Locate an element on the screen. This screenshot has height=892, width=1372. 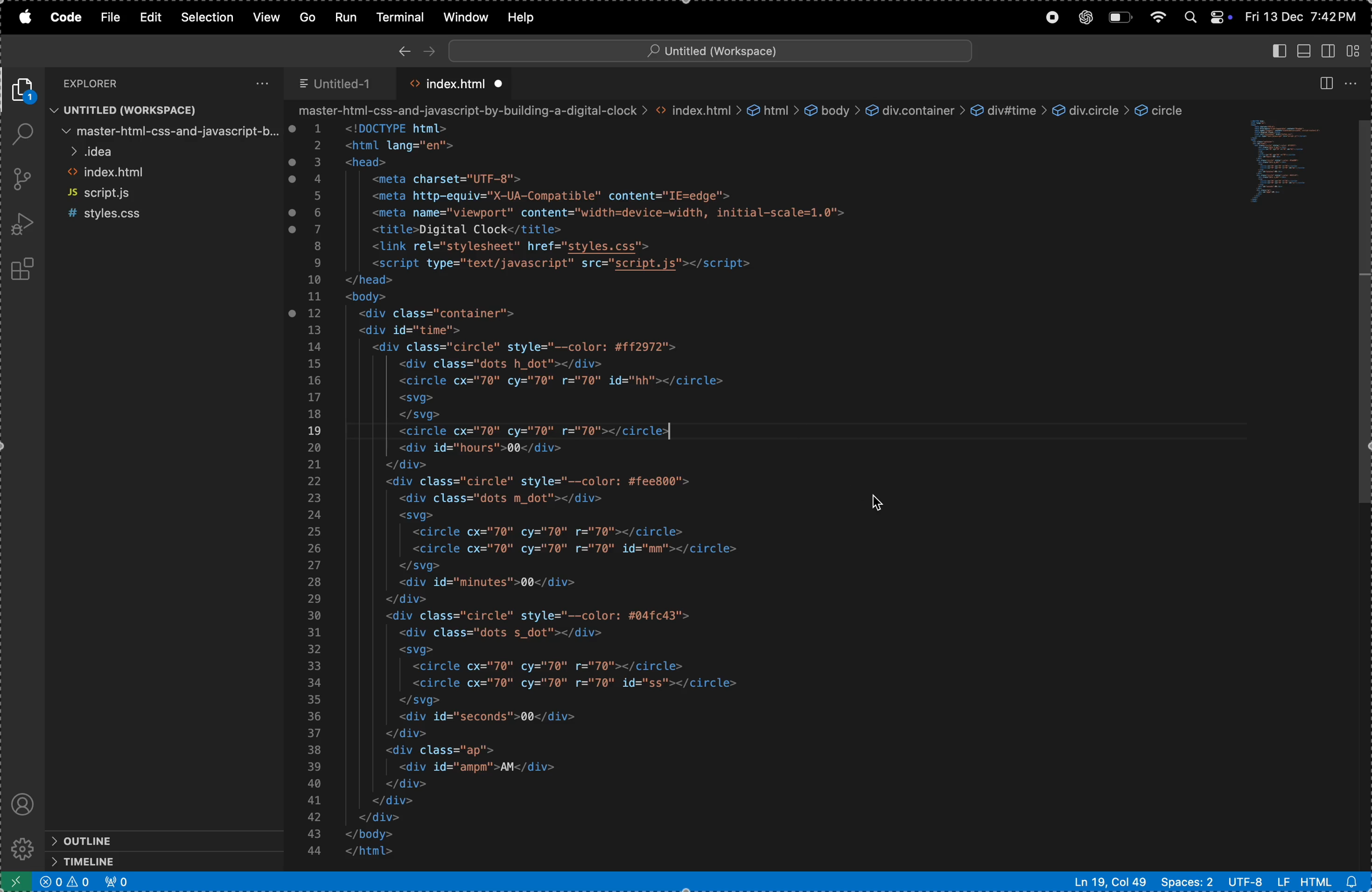
options is located at coordinates (1352, 83).